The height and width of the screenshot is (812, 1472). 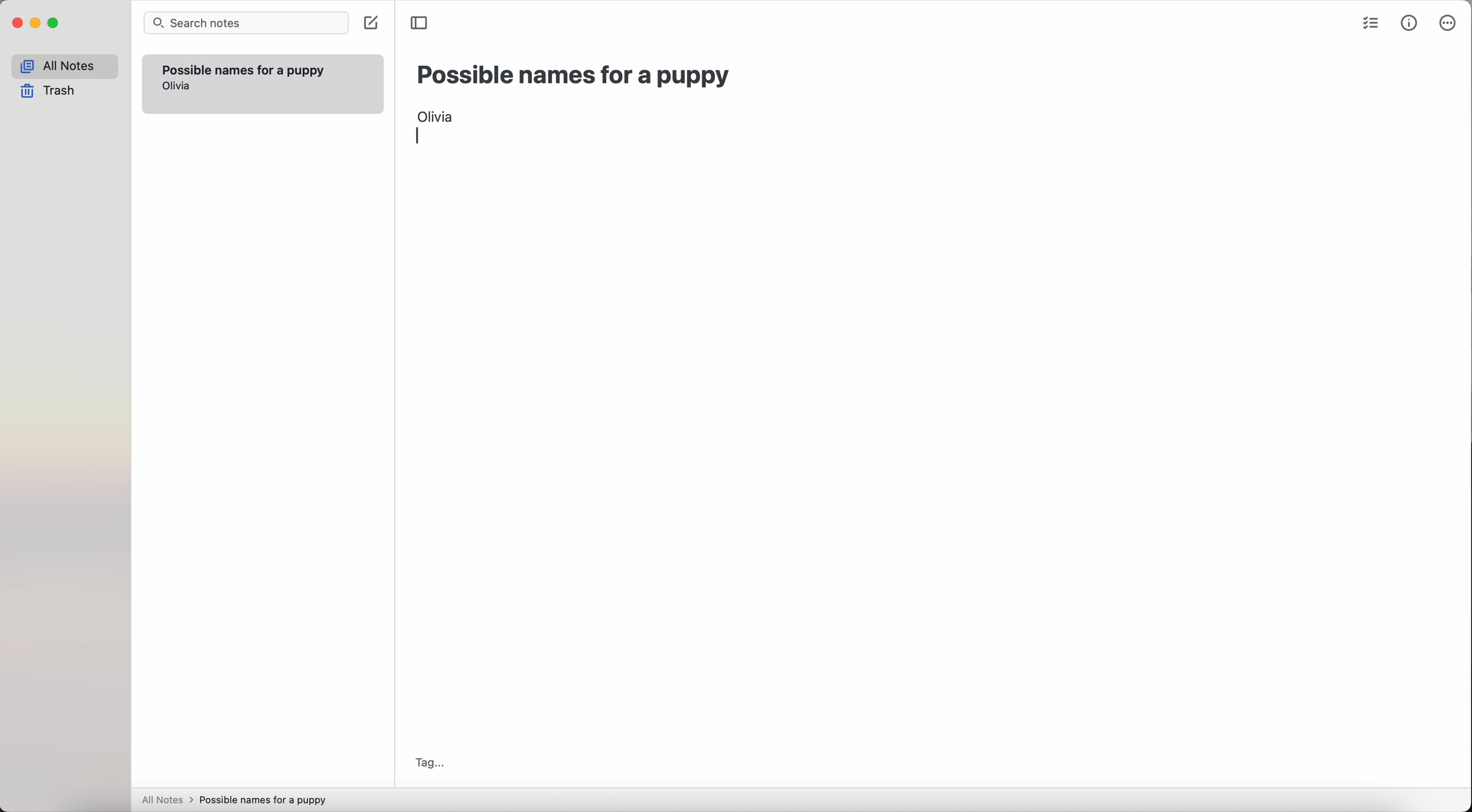 I want to click on search bar, so click(x=246, y=24).